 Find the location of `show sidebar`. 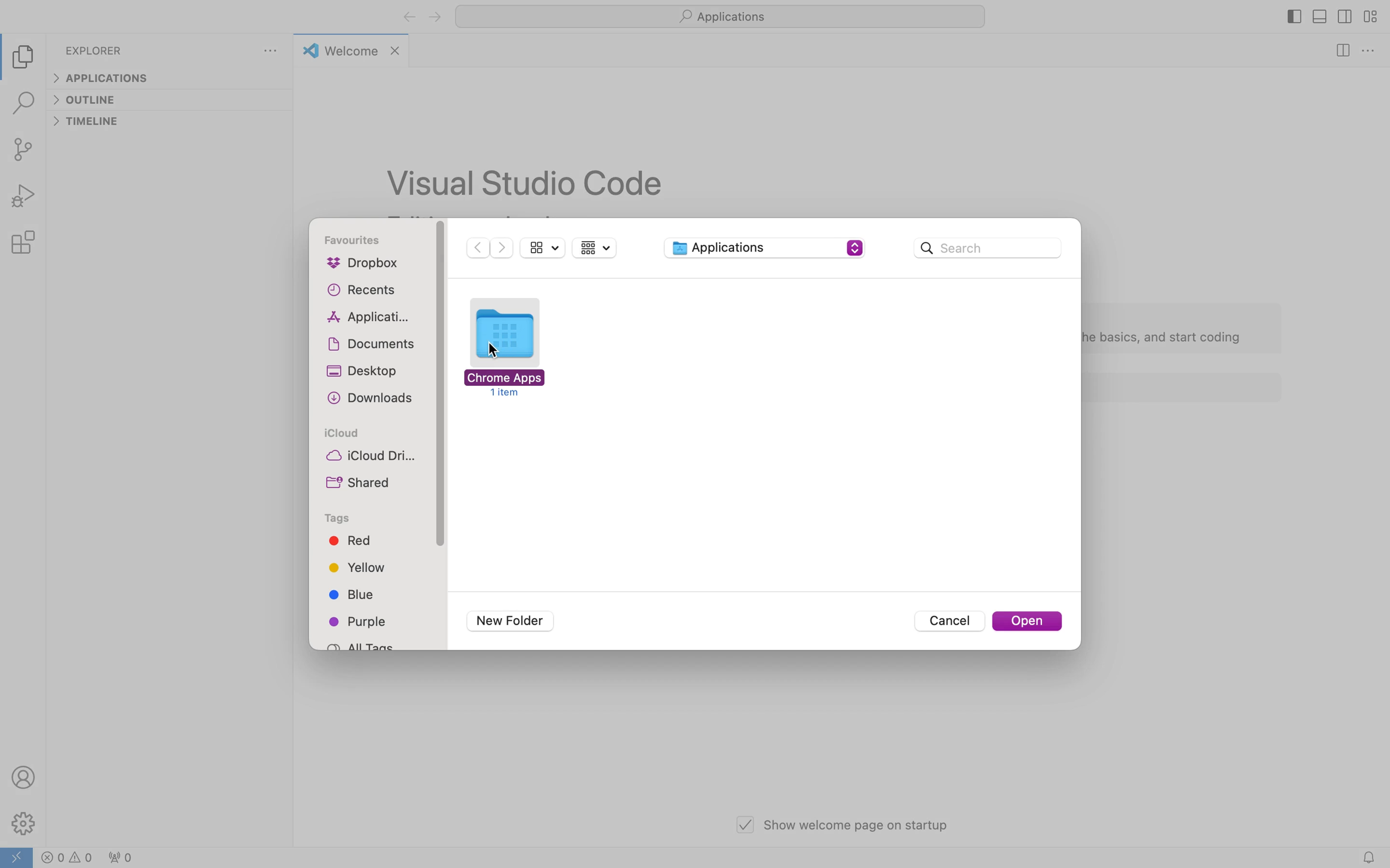

show sidebar is located at coordinates (544, 247).